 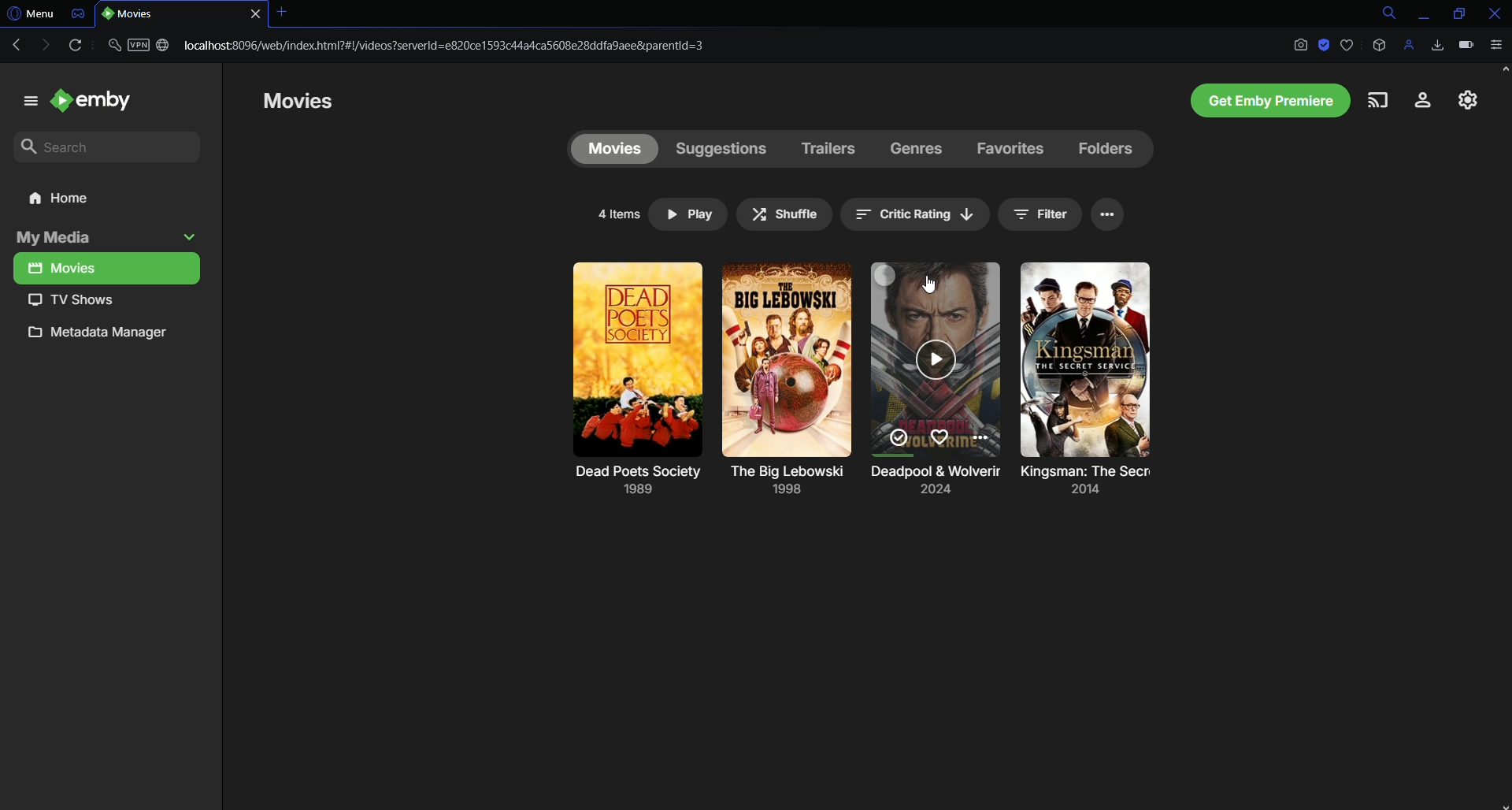 What do you see at coordinates (312, 102) in the screenshot?
I see `Movies` at bounding box center [312, 102].